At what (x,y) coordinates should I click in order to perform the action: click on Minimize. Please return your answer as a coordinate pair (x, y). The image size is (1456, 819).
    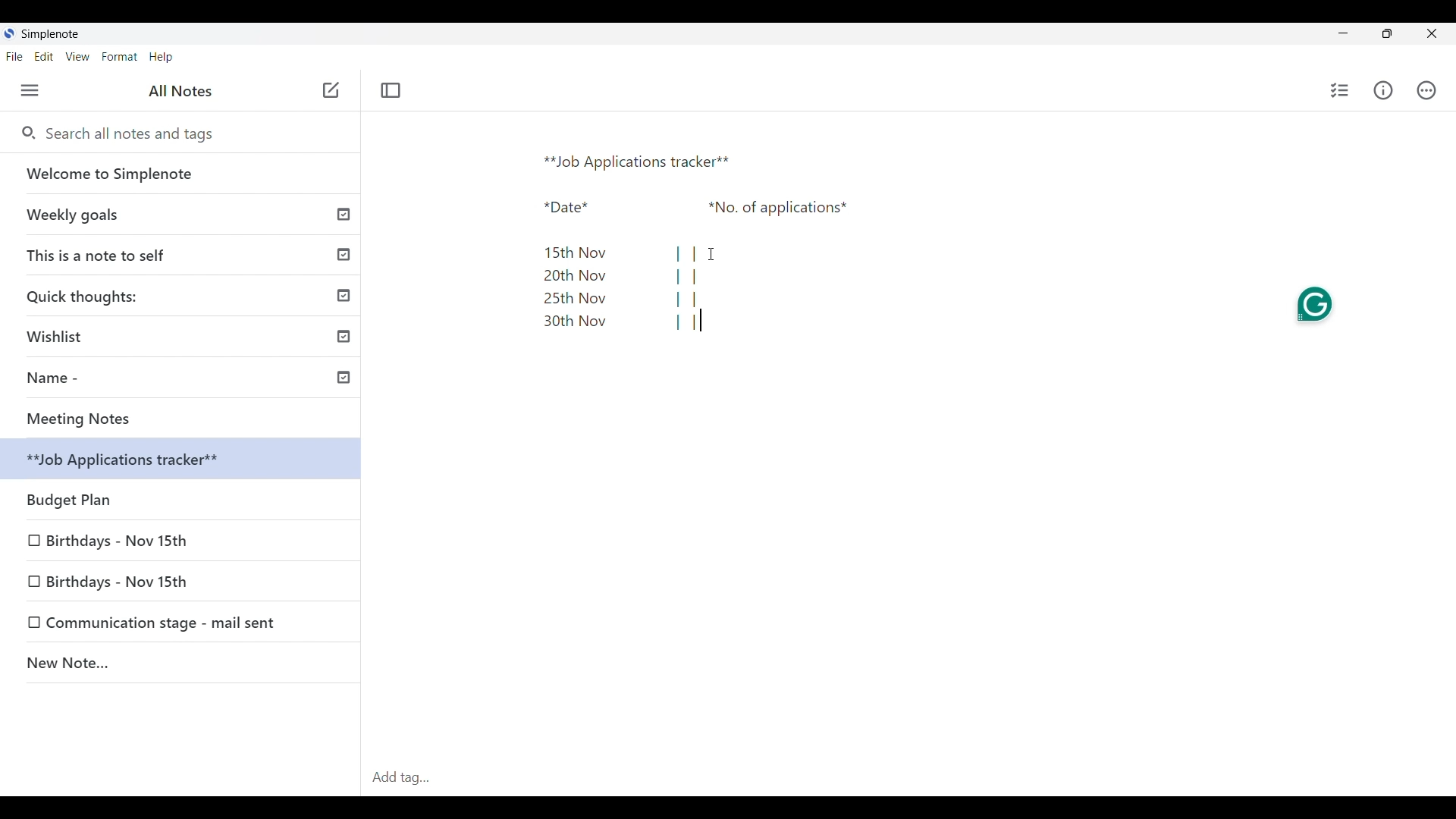
    Looking at the image, I should click on (1343, 33).